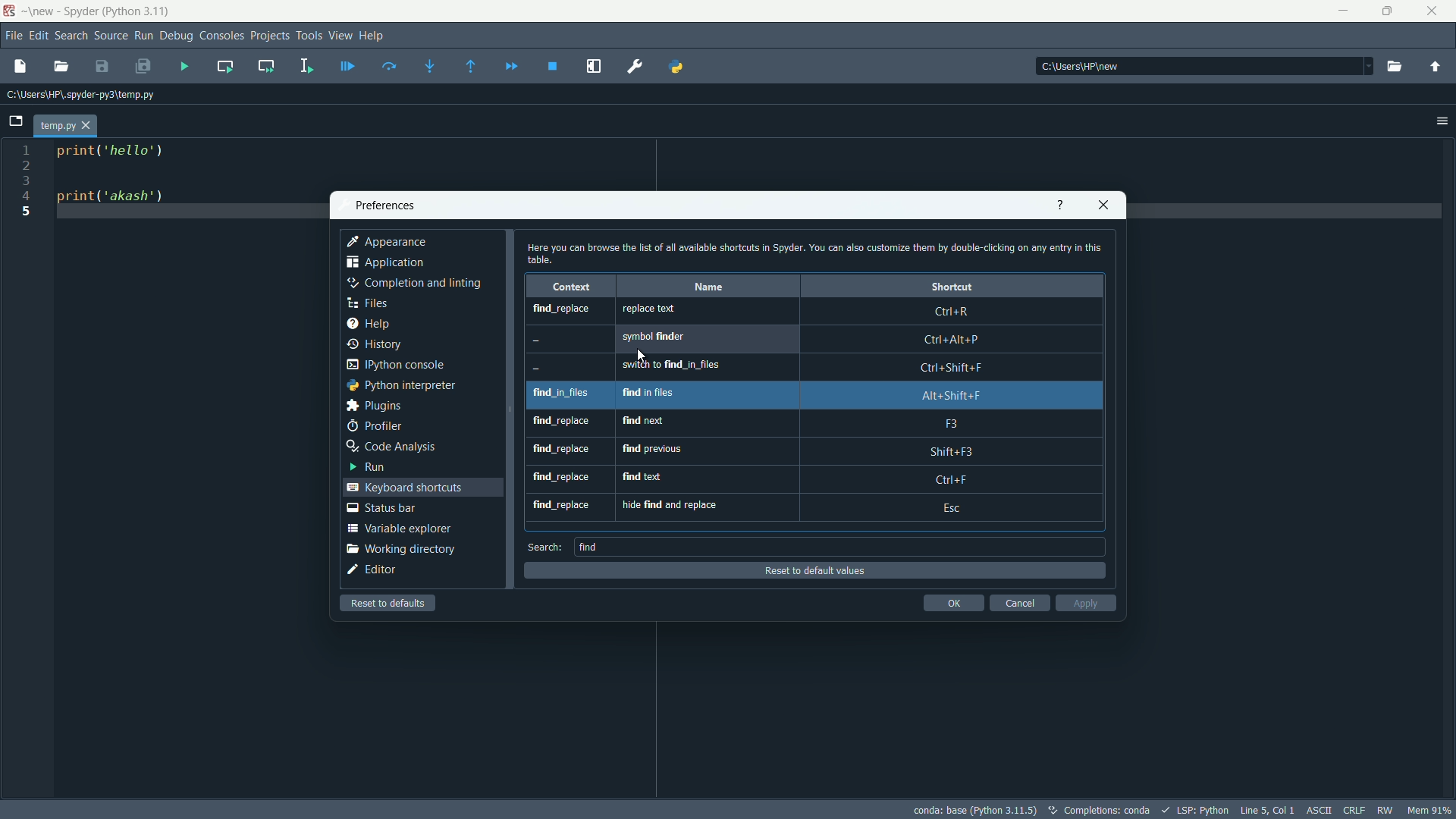 The height and width of the screenshot is (819, 1456). Describe the element at coordinates (1386, 11) in the screenshot. I see `maximize` at that location.